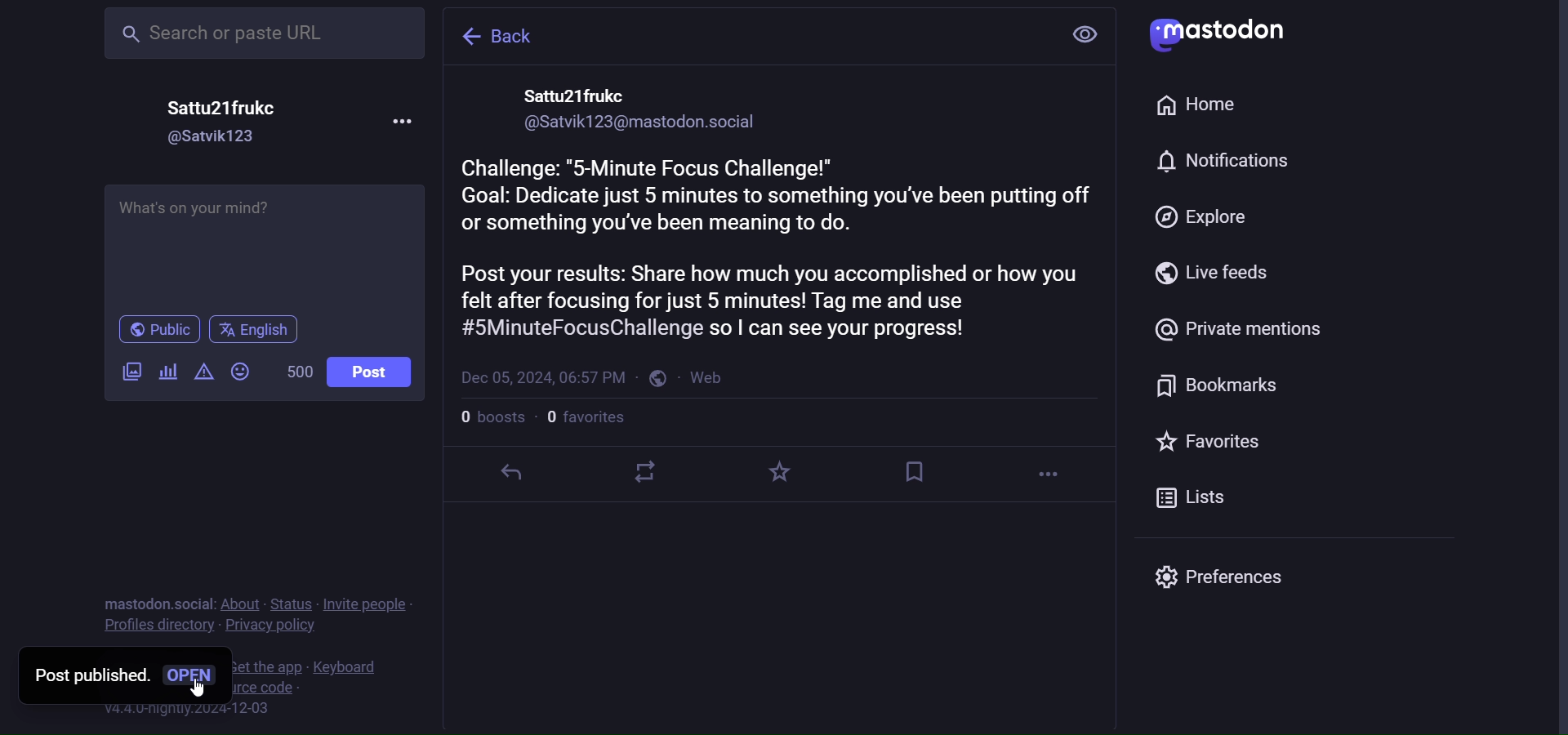 The height and width of the screenshot is (735, 1568). What do you see at coordinates (1226, 579) in the screenshot?
I see `preferences` at bounding box center [1226, 579].